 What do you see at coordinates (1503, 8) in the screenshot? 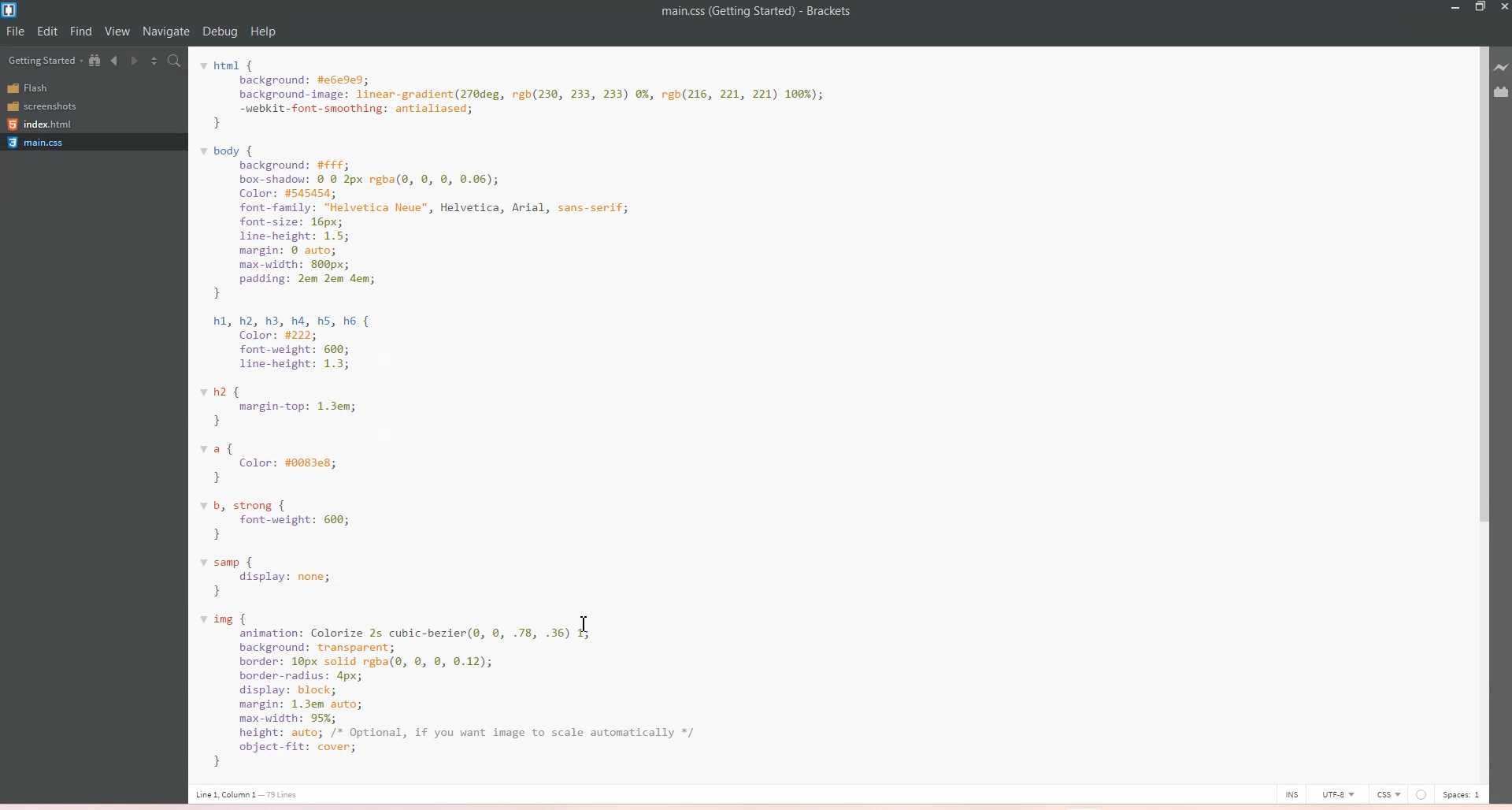
I see `Close` at bounding box center [1503, 8].